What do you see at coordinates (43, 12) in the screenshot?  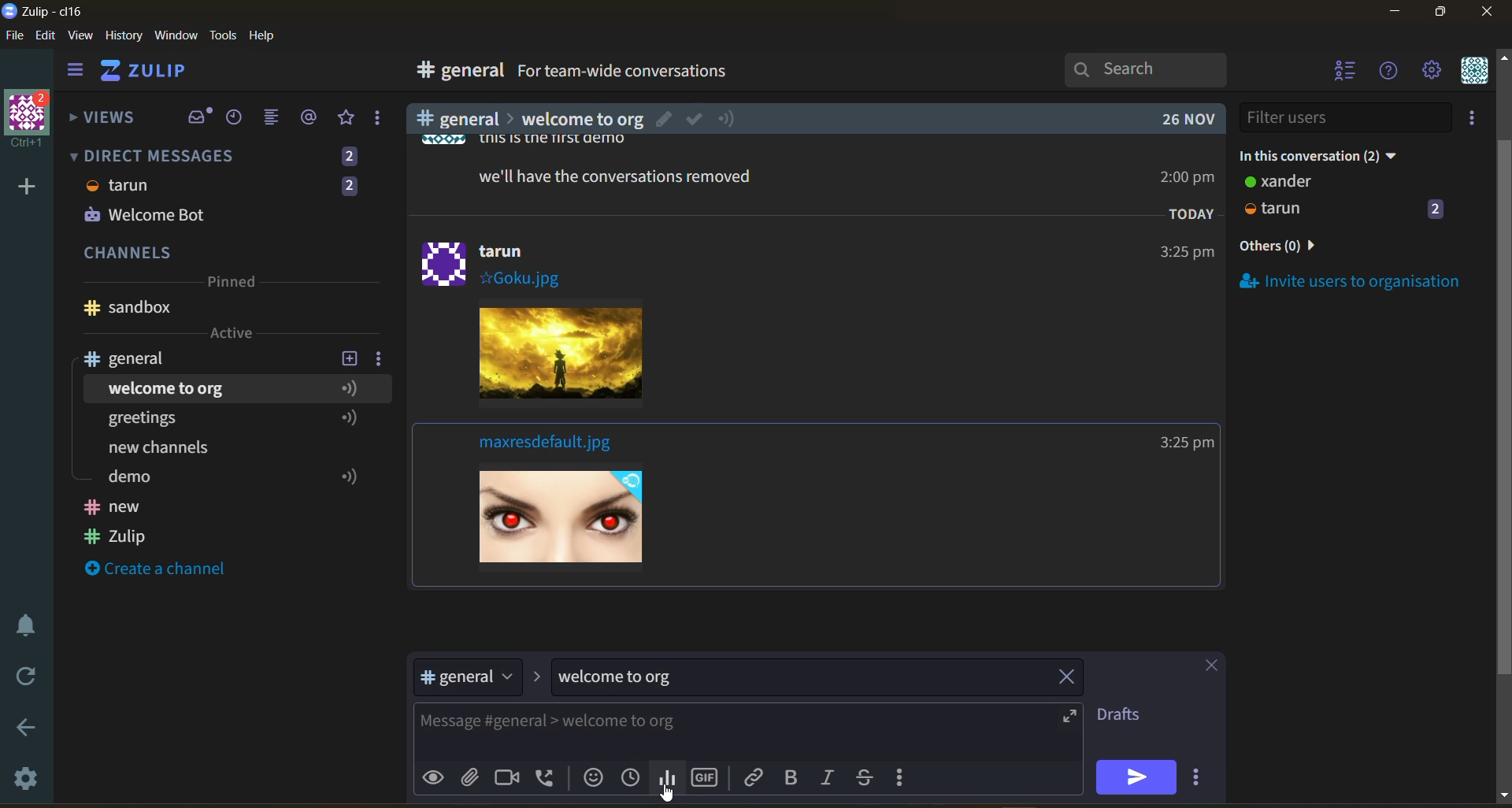 I see `app name and organisation name` at bounding box center [43, 12].